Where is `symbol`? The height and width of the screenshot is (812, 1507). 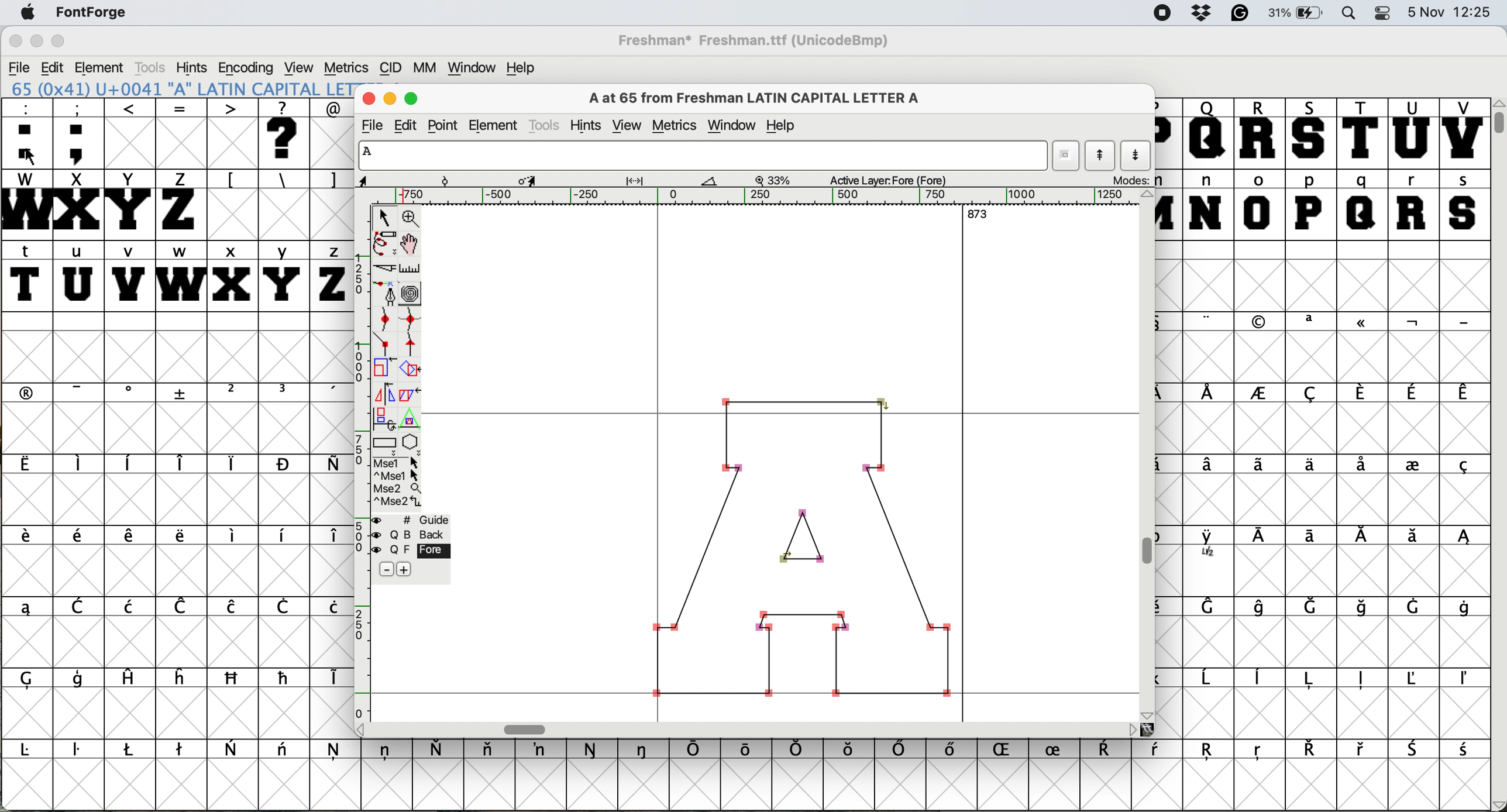 symbol is located at coordinates (285, 752).